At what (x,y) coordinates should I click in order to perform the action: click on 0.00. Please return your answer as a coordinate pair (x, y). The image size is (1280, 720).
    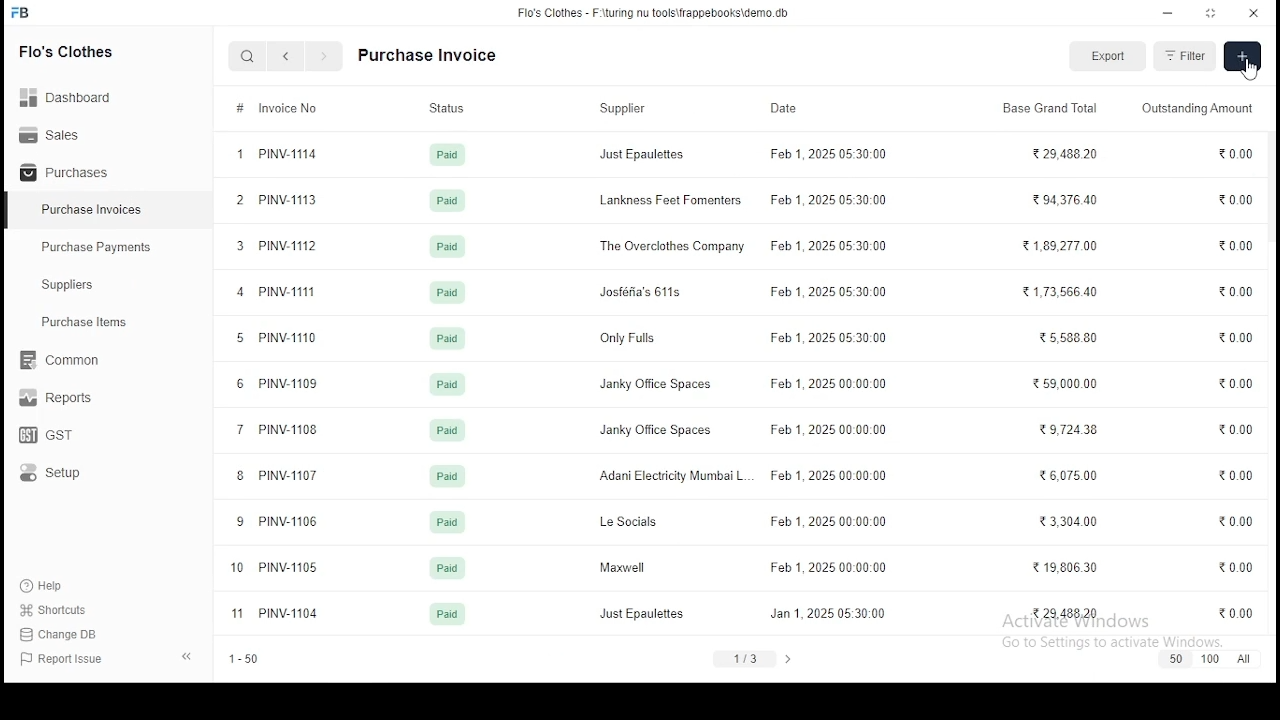
    Looking at the image, I should click on (1235, 427).